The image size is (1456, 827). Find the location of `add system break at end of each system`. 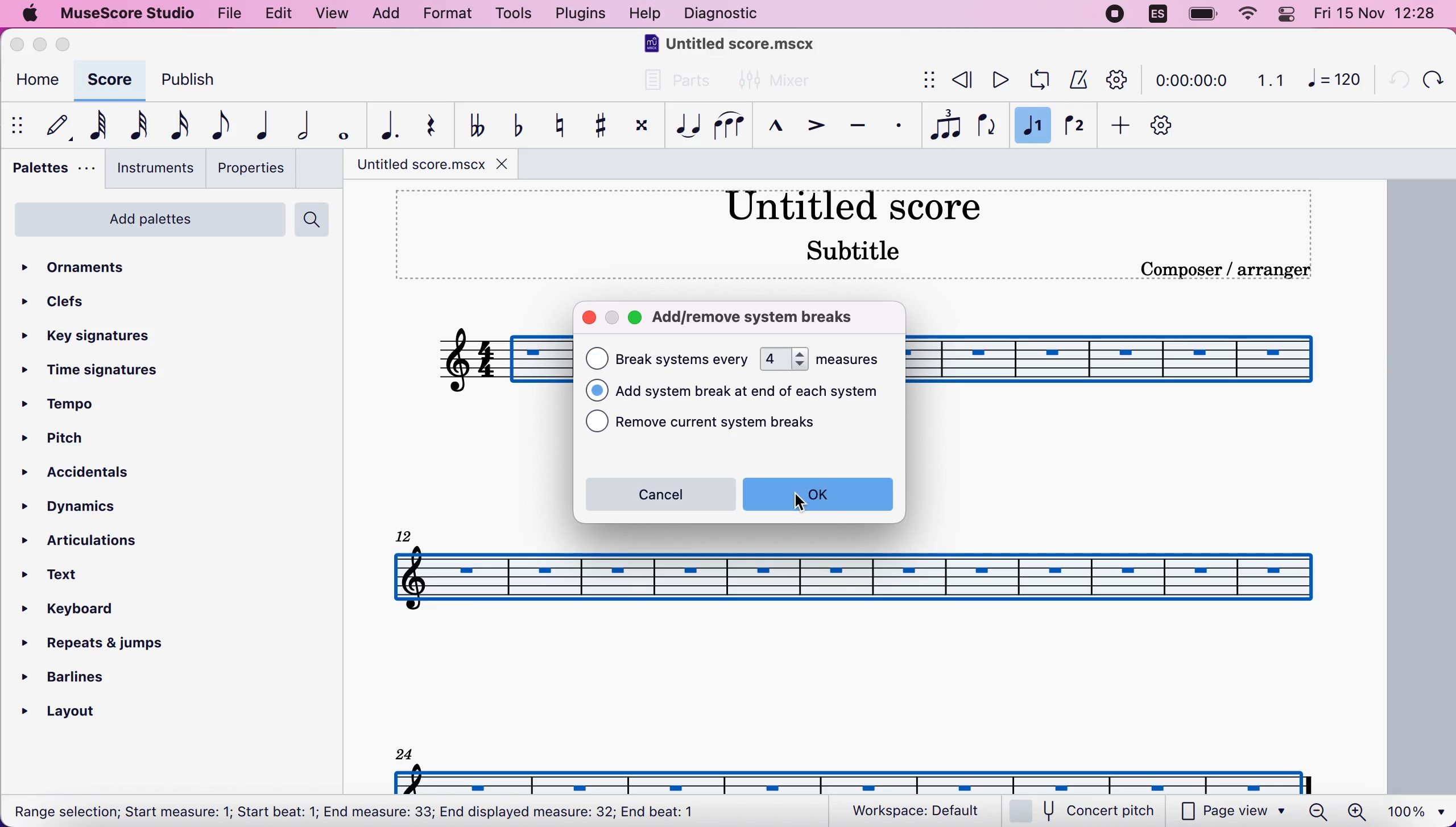

add system break at end of each system is located at coordinates (757, 392).